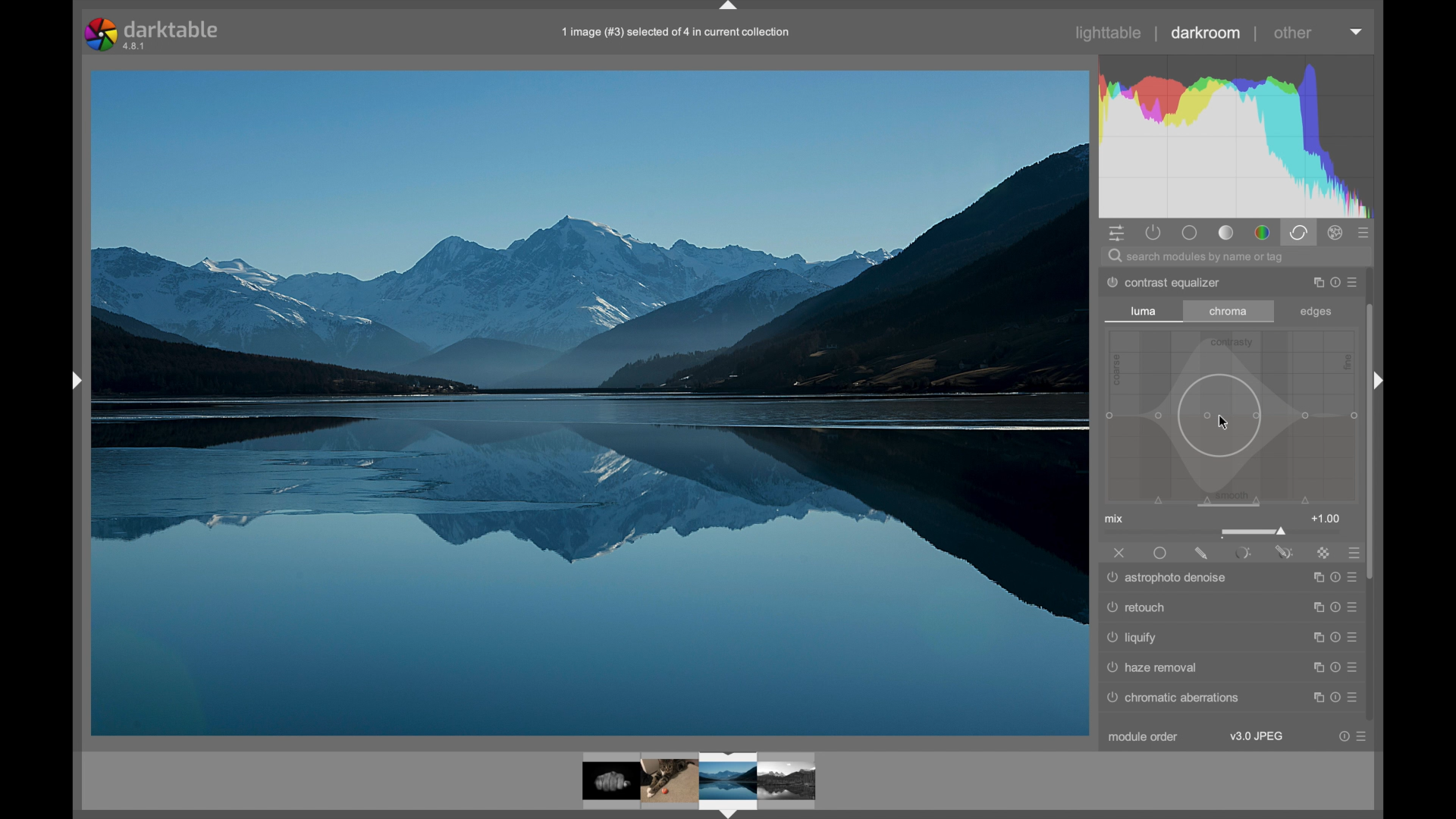  What do you see at coordinates (700, 782) in the screenshot?
I see `photo preview` at bounding box center [700, 782].